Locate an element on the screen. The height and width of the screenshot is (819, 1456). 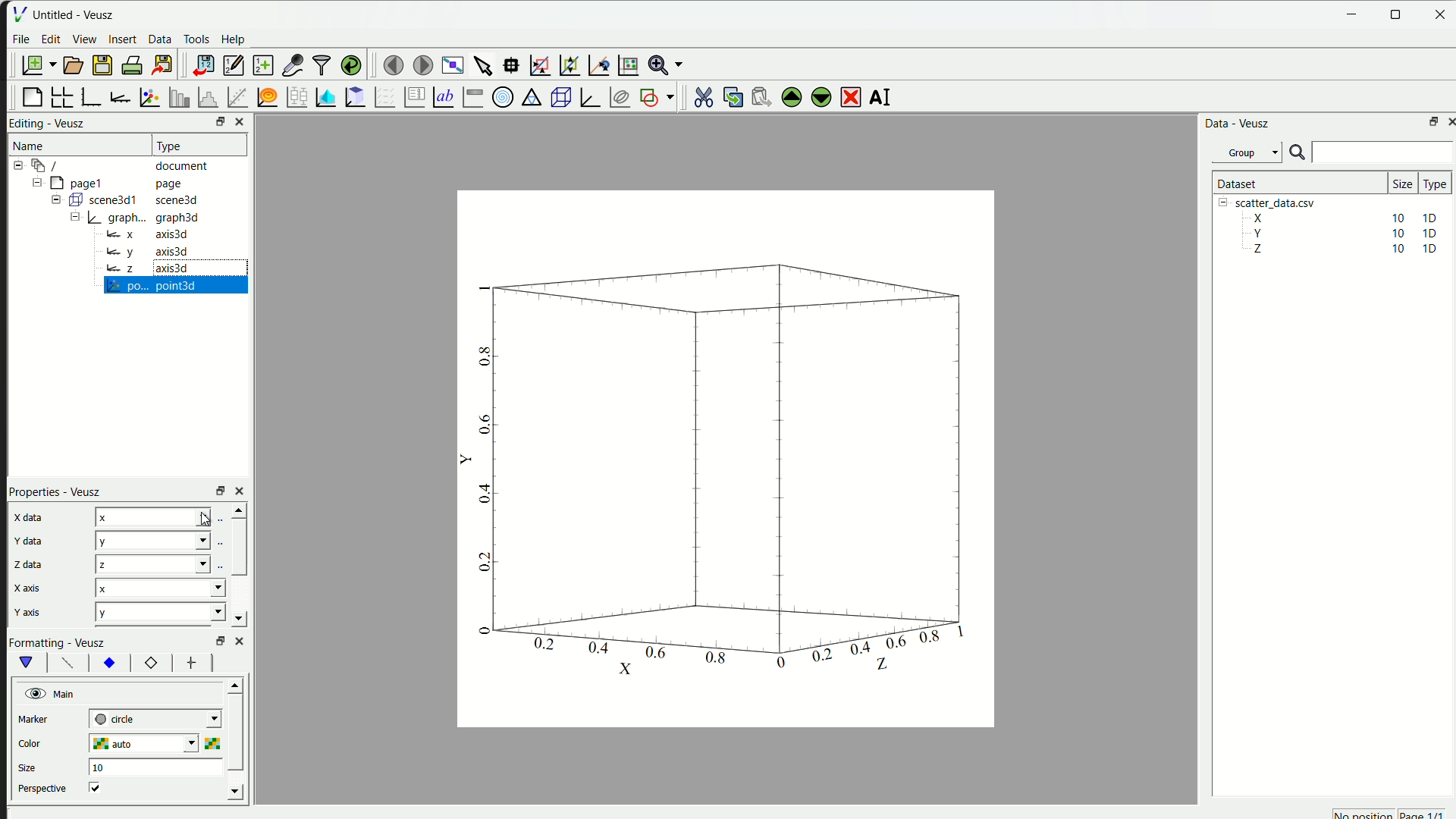
Properties - Veusz is located at coordinates (55, 491).